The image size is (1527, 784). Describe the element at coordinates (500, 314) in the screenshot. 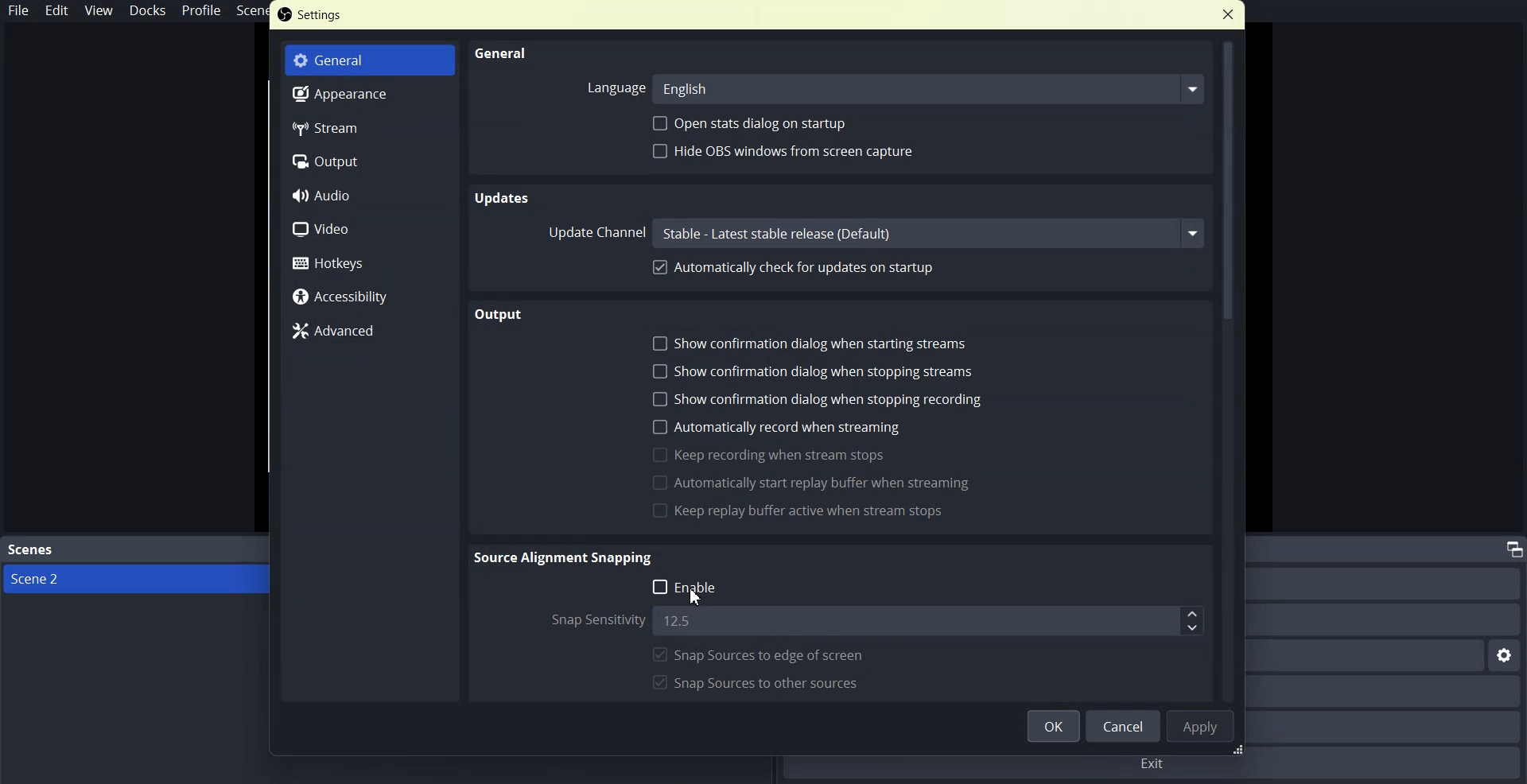

I see `Output` at that location.